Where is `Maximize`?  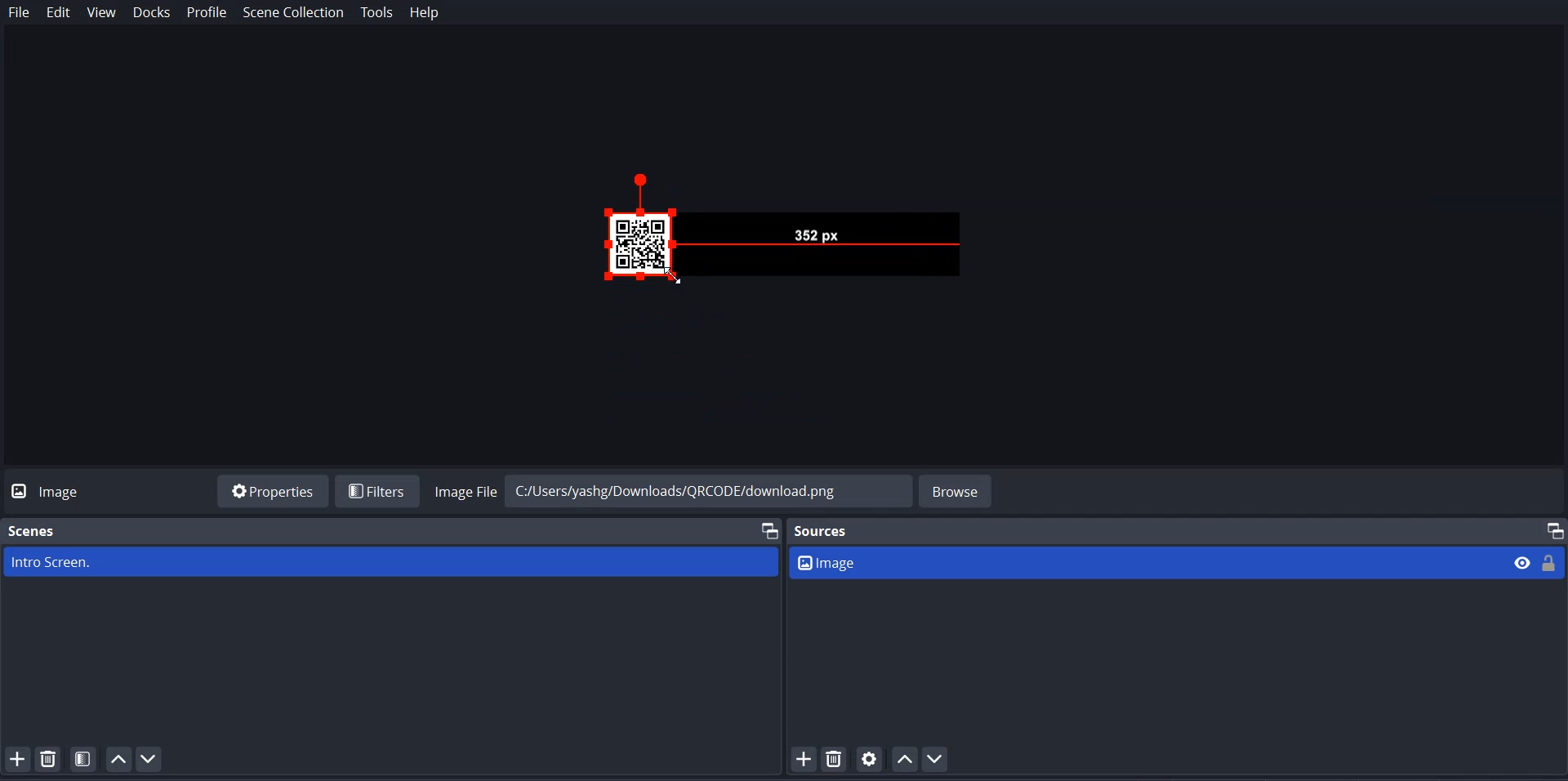 Maximize is located at coordinates (1555, 529).